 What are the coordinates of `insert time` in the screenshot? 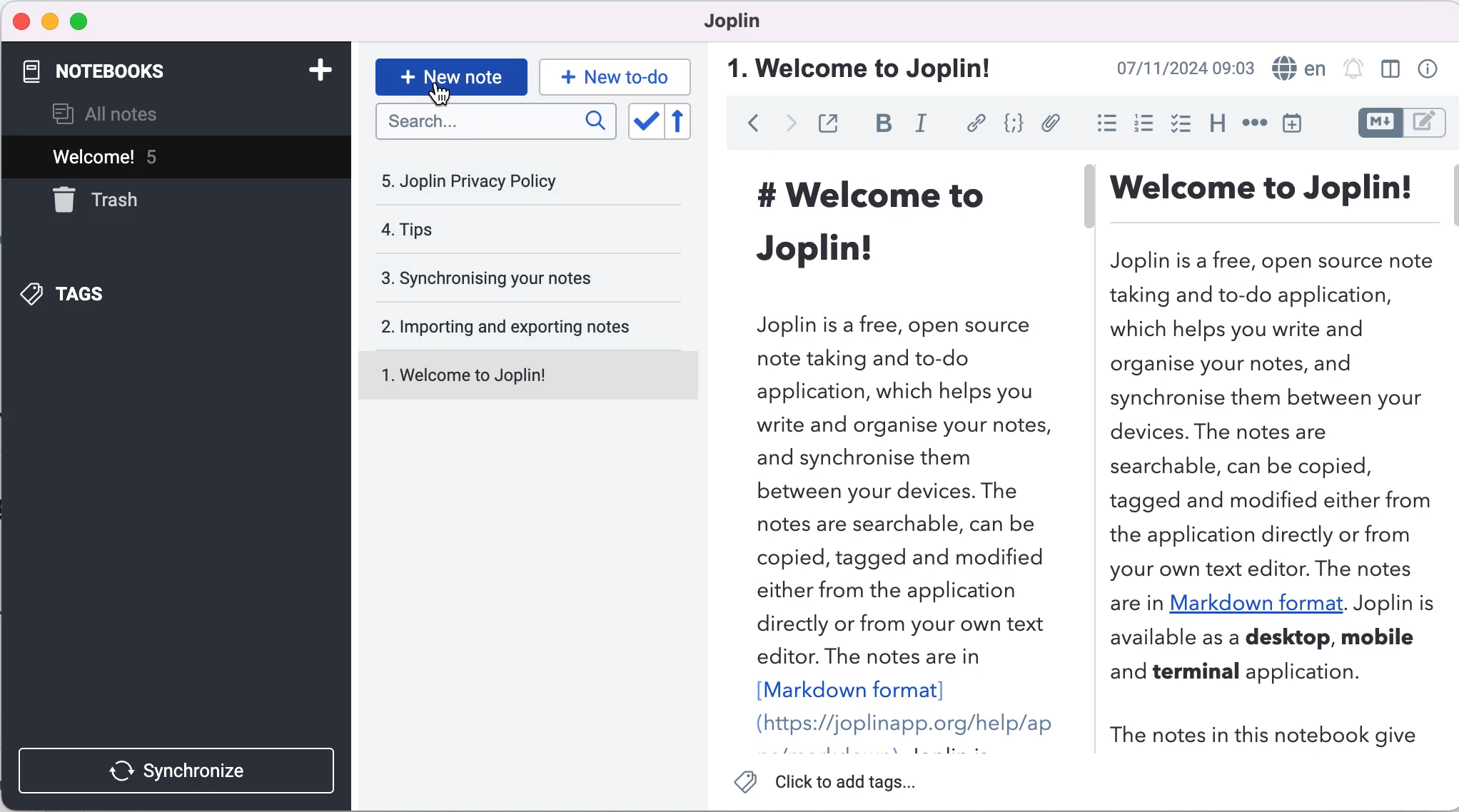 It's located at (1291, 126).